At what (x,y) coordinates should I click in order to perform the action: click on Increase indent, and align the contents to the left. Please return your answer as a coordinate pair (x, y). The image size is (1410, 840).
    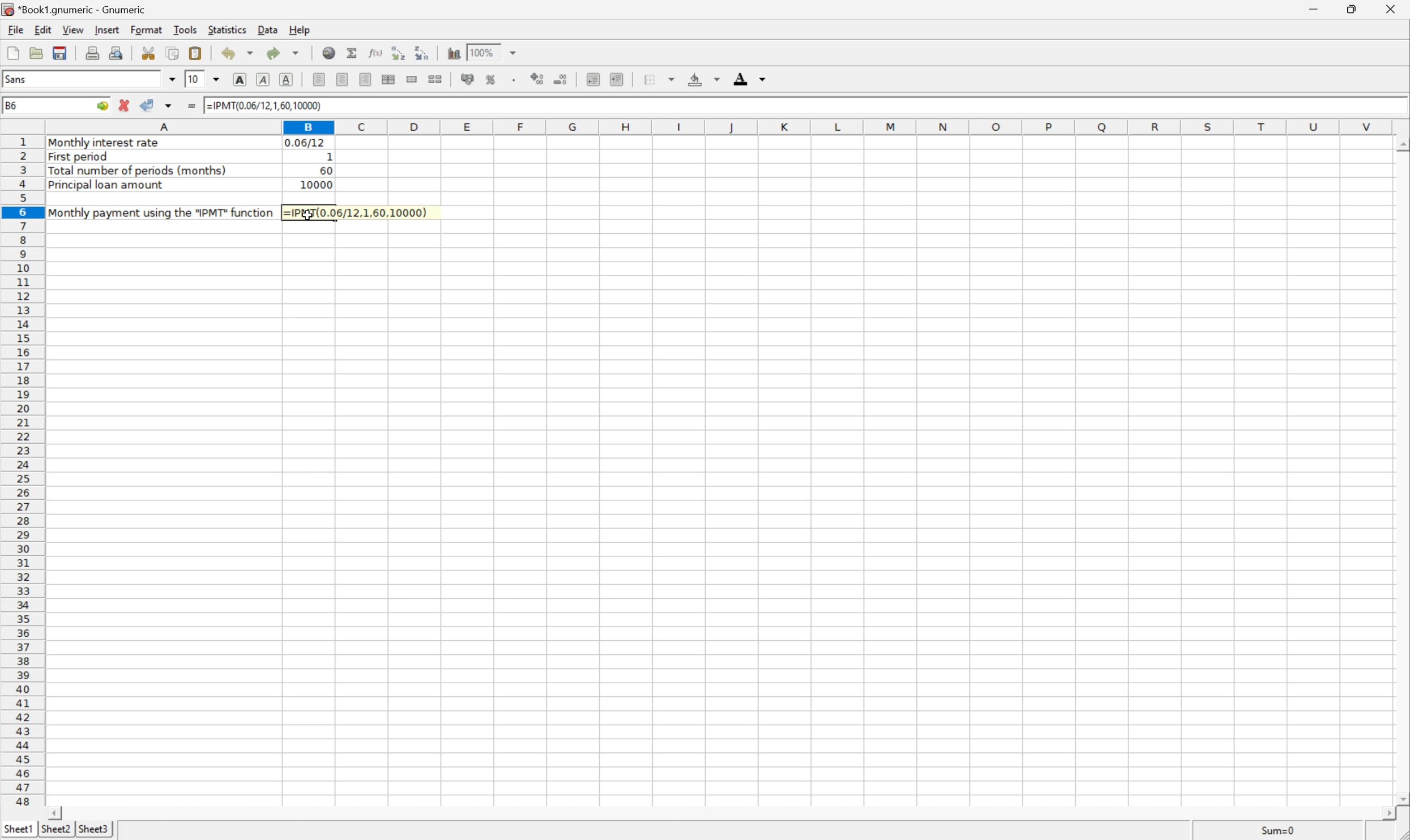
    Looking at the image, I should click on (619, 79).